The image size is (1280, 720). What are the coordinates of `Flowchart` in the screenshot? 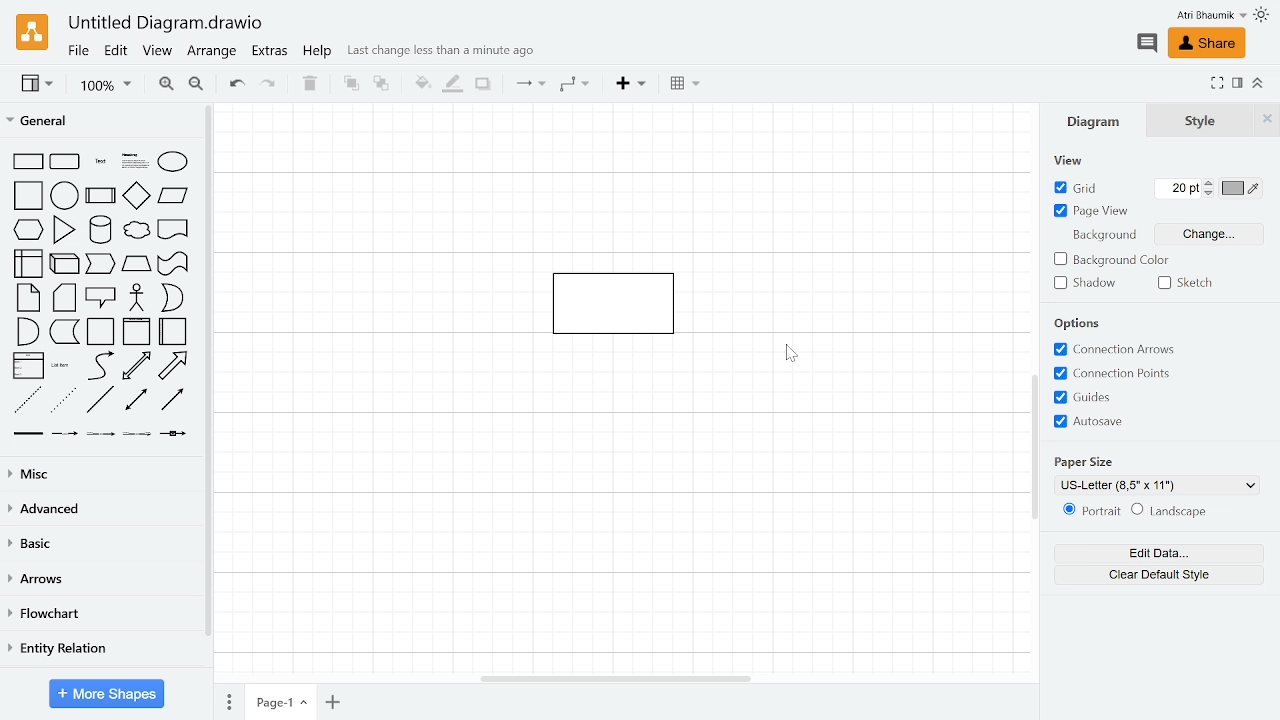 It's located at (105, 613).